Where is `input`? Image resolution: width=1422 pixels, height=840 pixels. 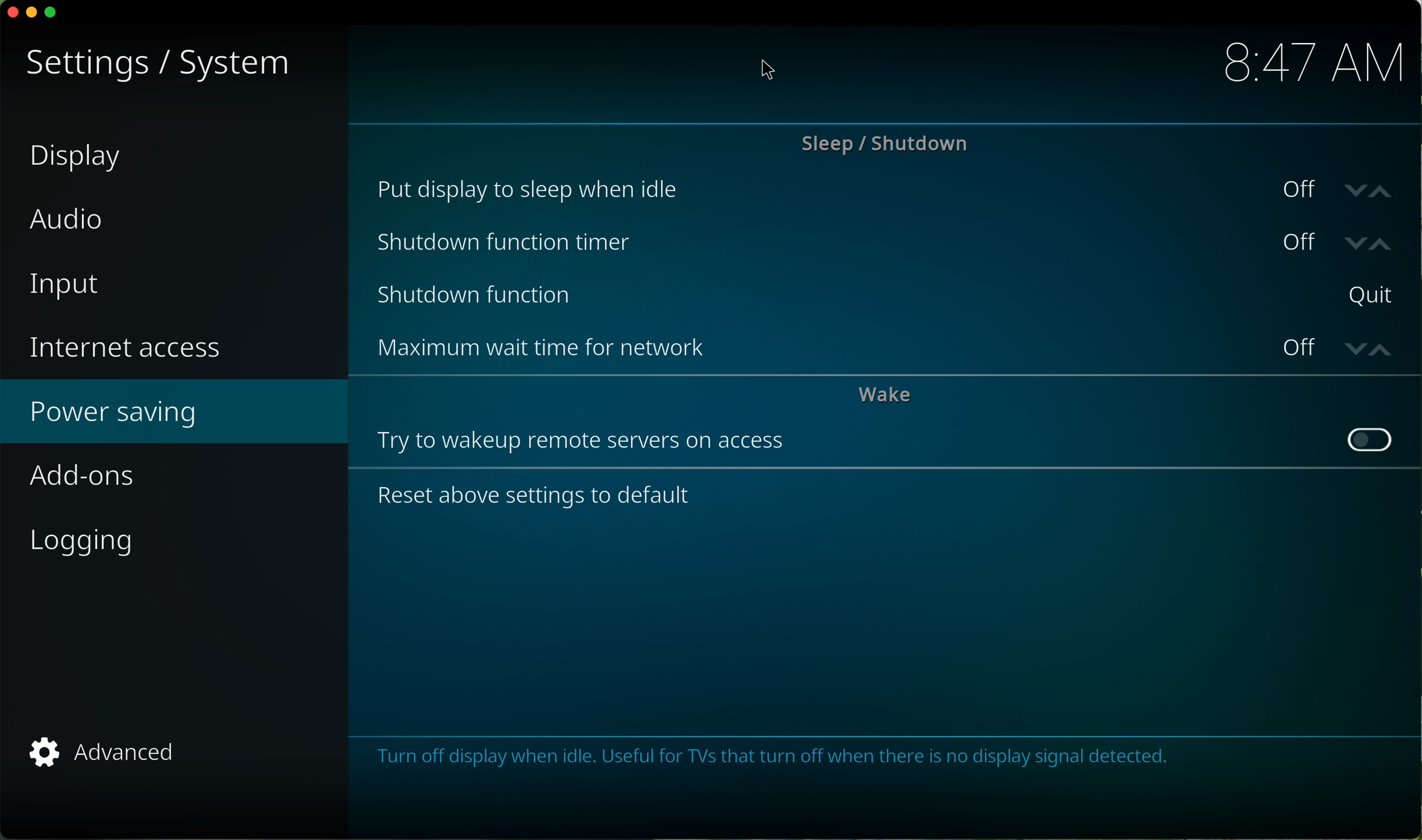
input is located at coordinates (62, 284).